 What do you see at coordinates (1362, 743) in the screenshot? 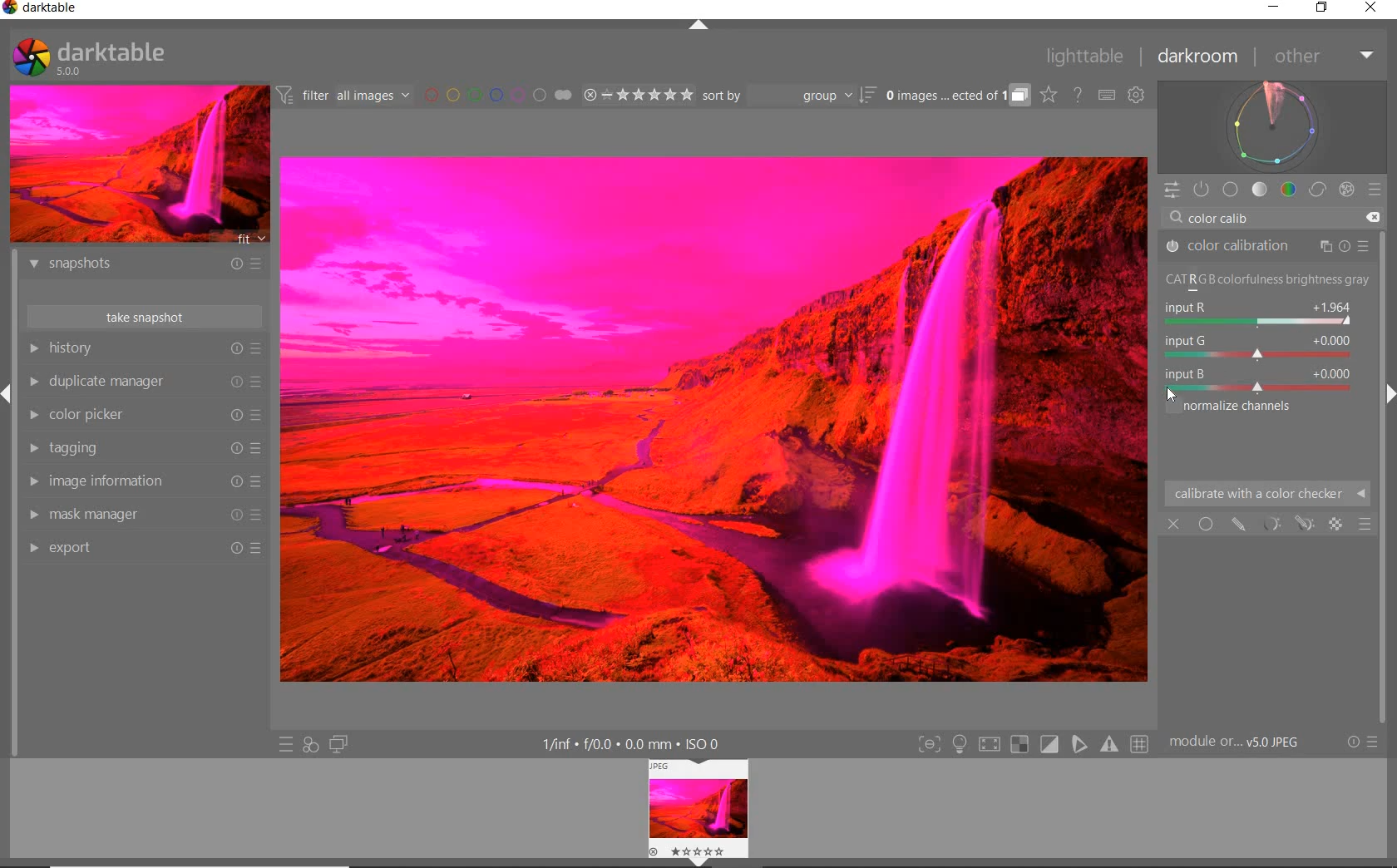
I see `RESET OR PRESETS & PREFERENCES` at bounding box center [1362, 743].